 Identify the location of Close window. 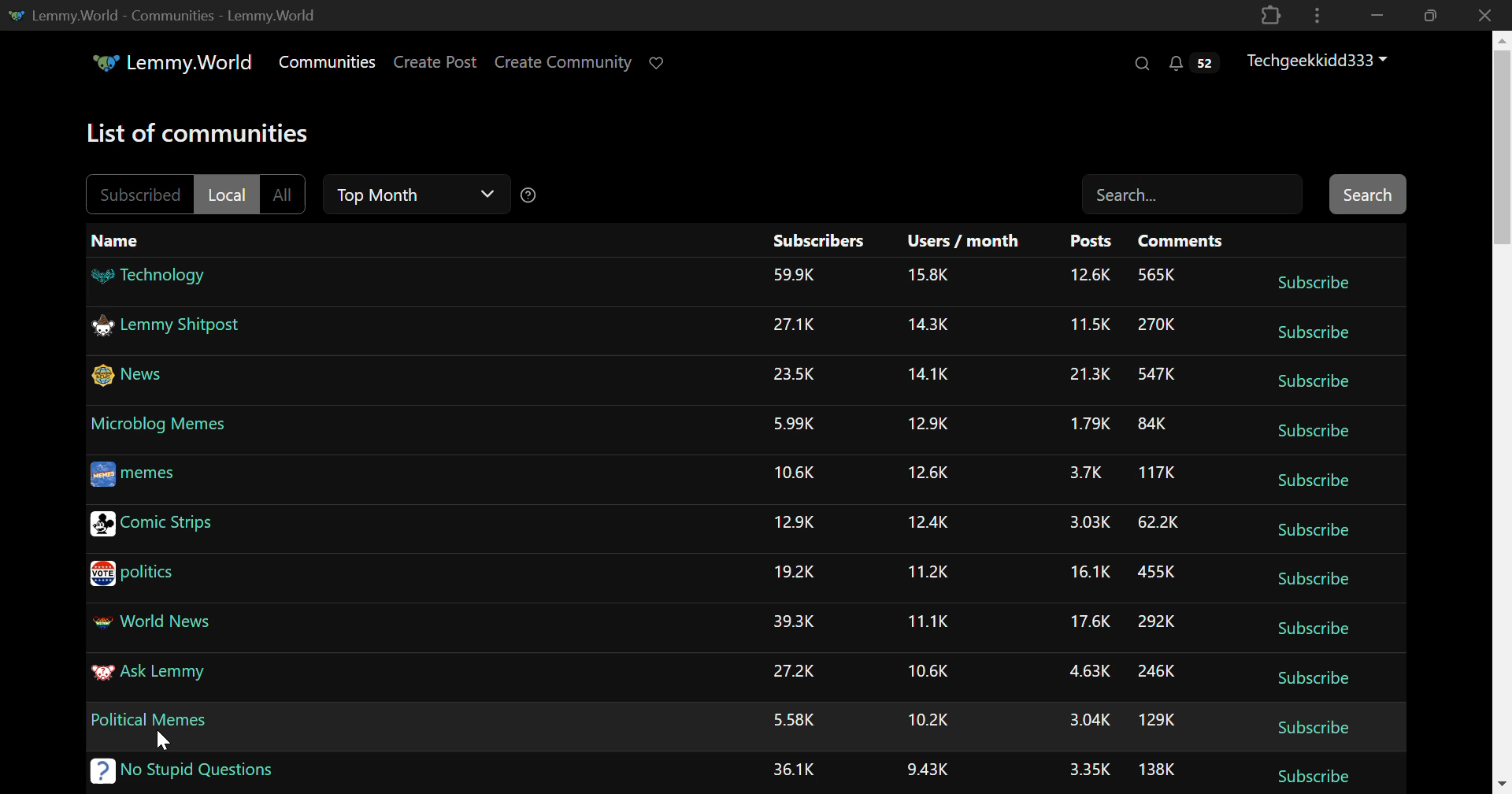
(1487, 14).